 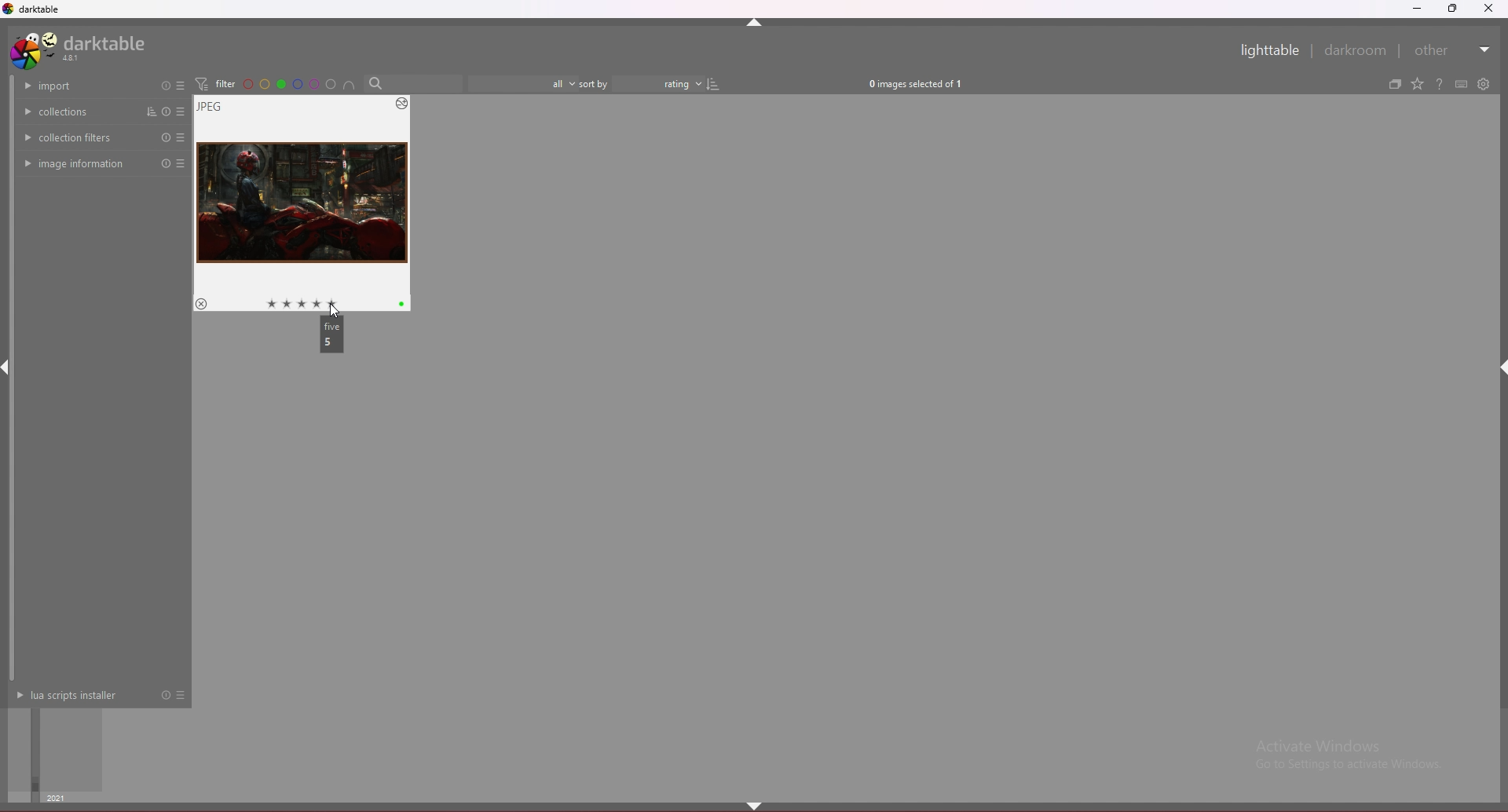 What do you see at coordinates (71, 696) in the screenshot?
I see `lua scripts installer` at bounding box center [71, 696].